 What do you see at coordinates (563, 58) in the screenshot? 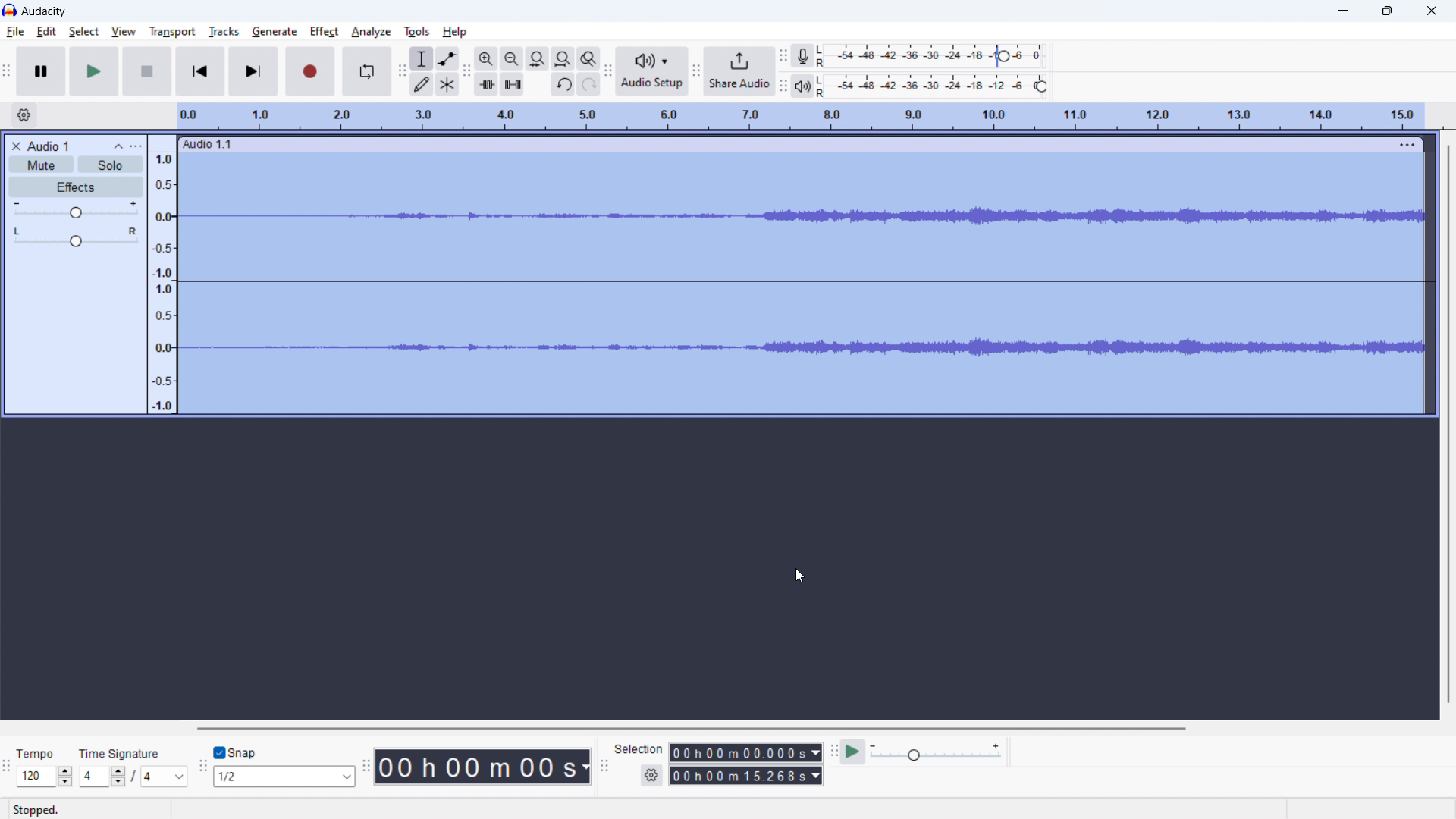
I see `fit project to width` at bounding box center [563, 58].